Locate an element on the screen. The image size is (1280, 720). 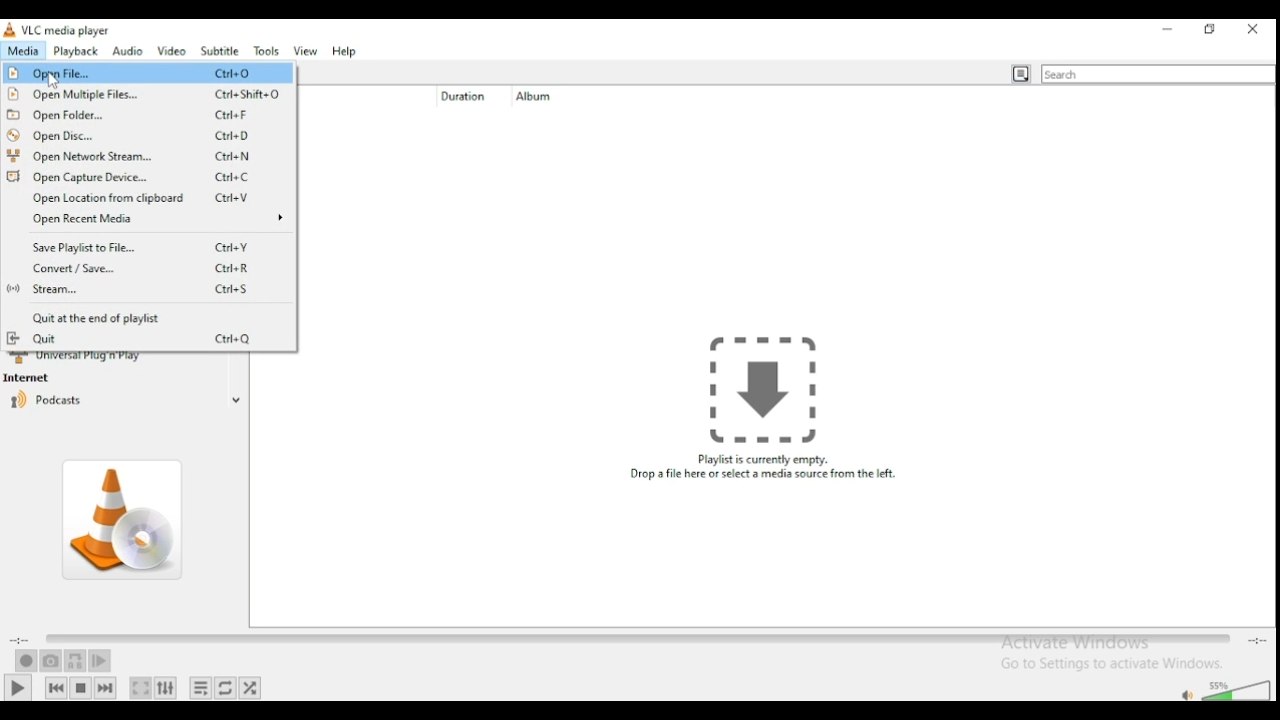
record is located at coordinates (24, 661).